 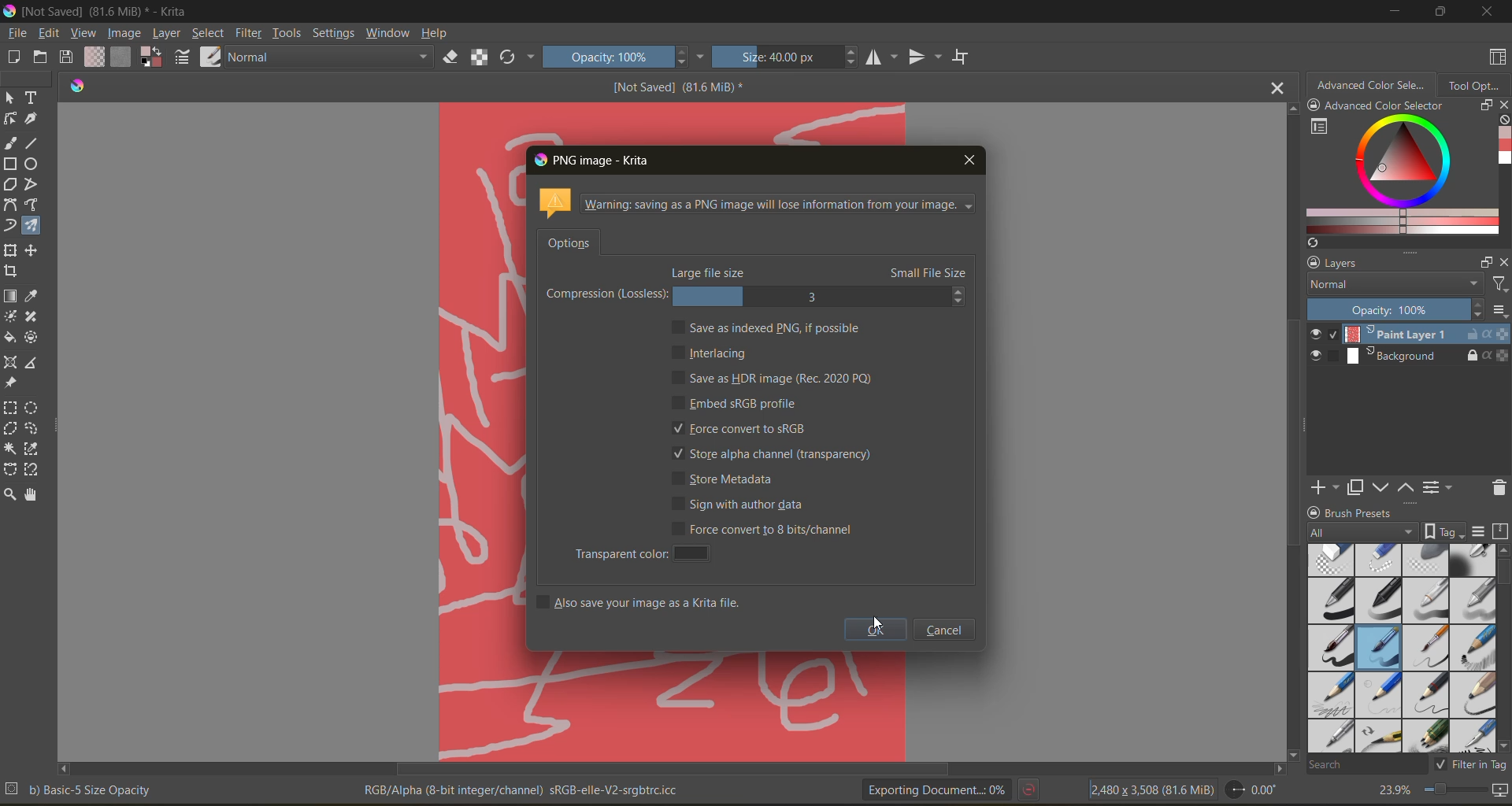 I want to click on tool, so click(x=31, y=409).